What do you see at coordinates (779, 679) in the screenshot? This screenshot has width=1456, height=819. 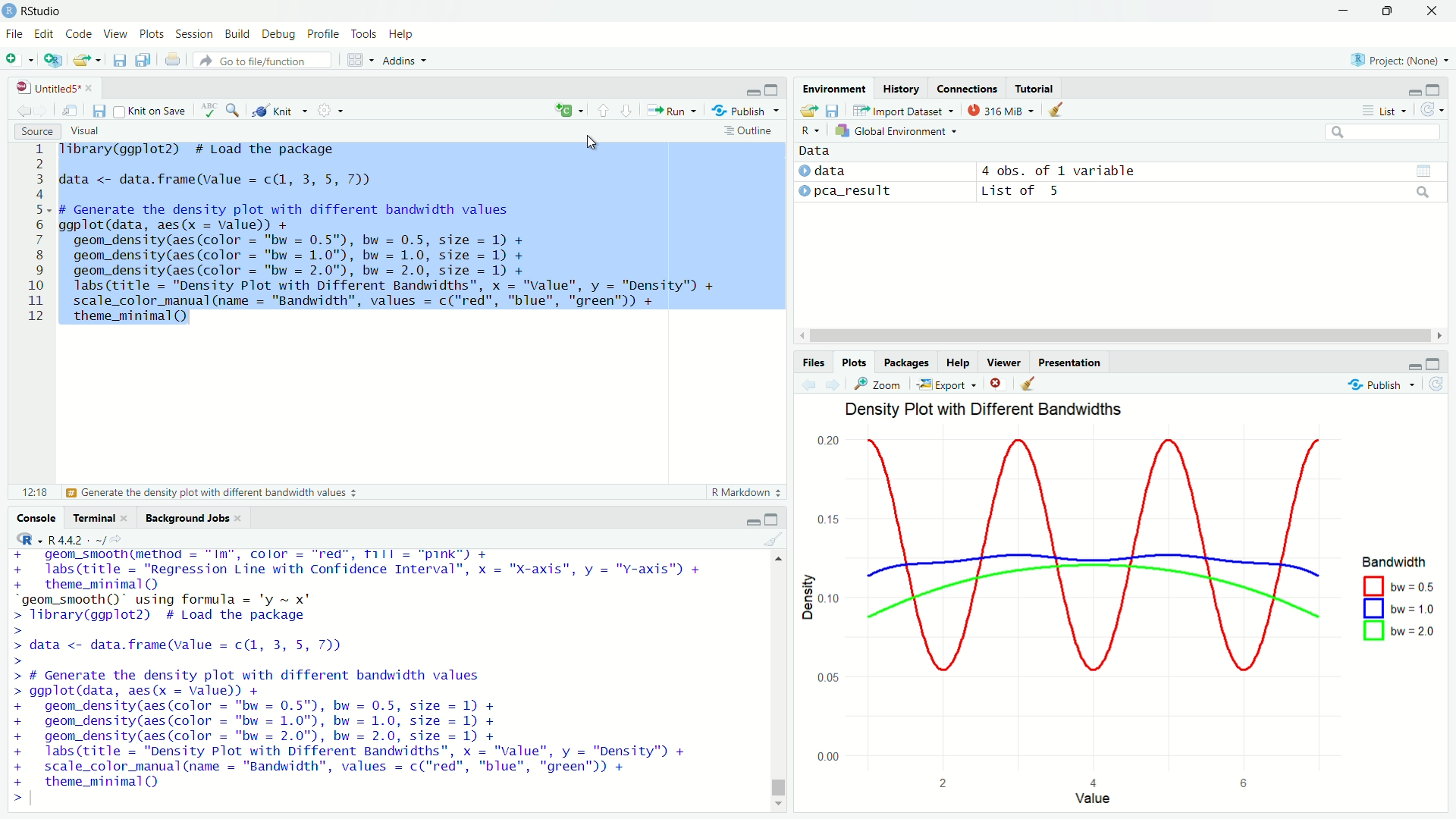 I see `vertical scroll bar` at bounding box center [779, 679].